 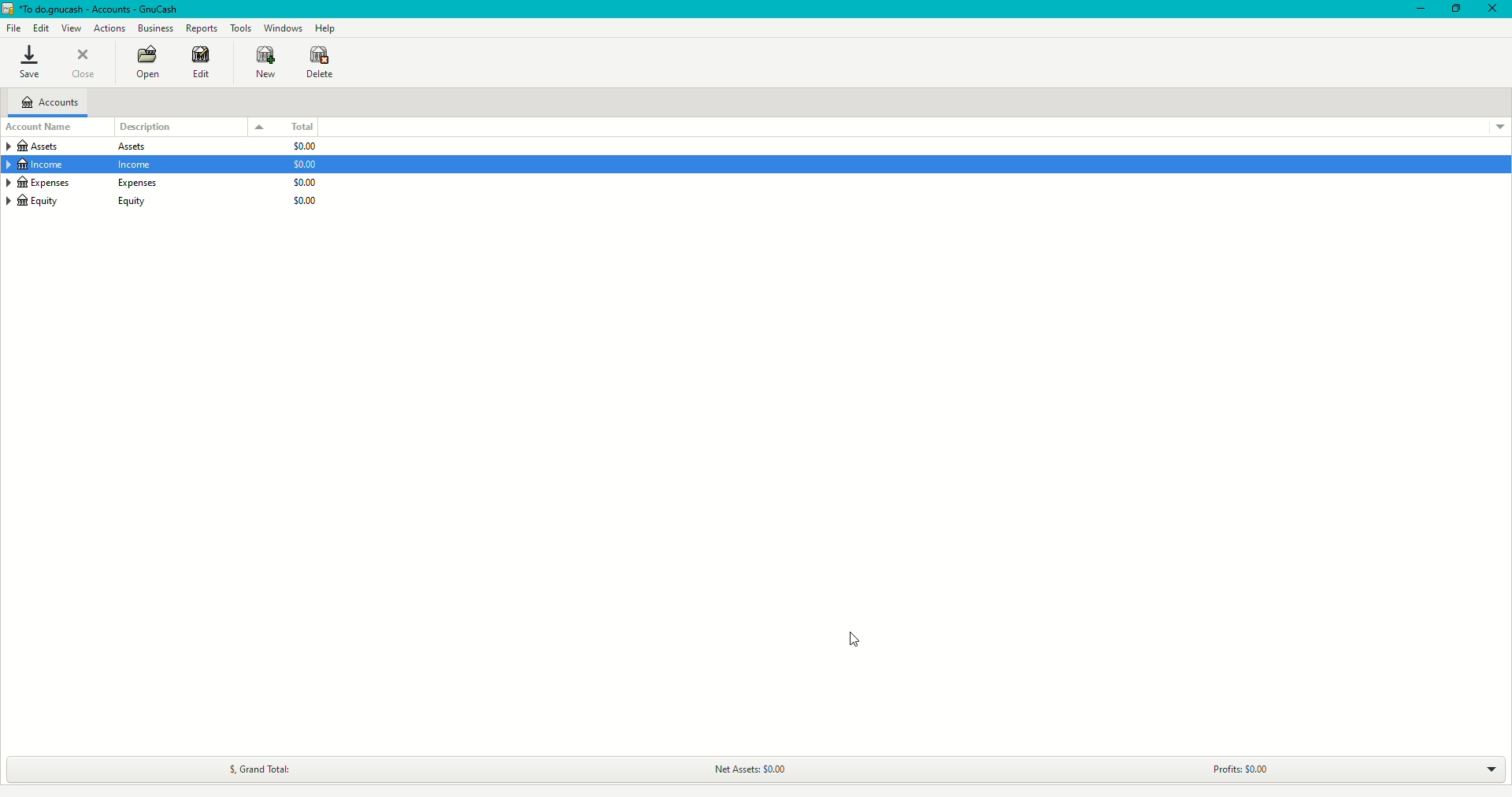 I want to click on Close, so click(x=87, y=64).